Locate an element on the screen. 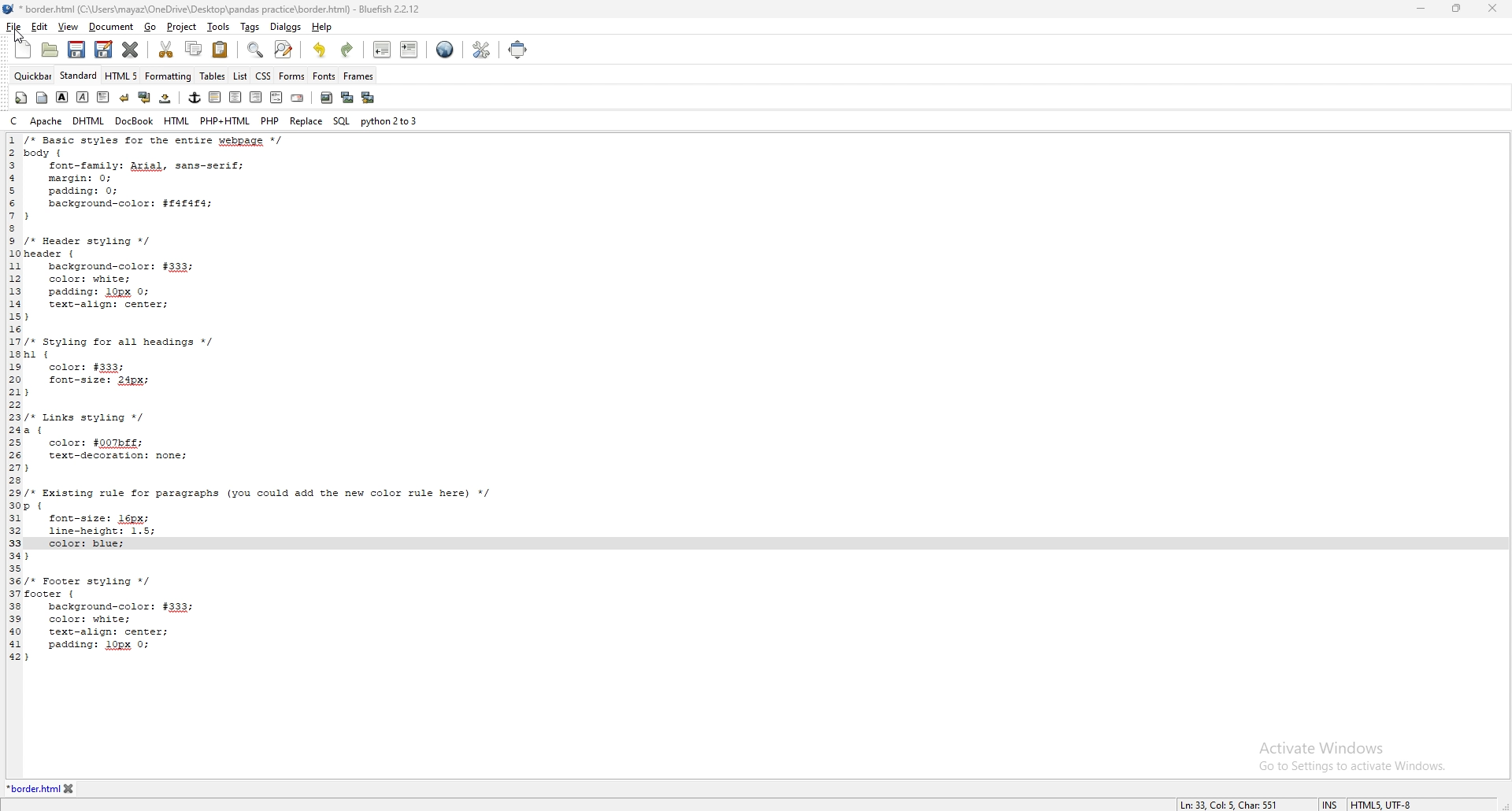 The height and width of the screenshot is (811, 1512). redo is located at coordinates (347, 48).